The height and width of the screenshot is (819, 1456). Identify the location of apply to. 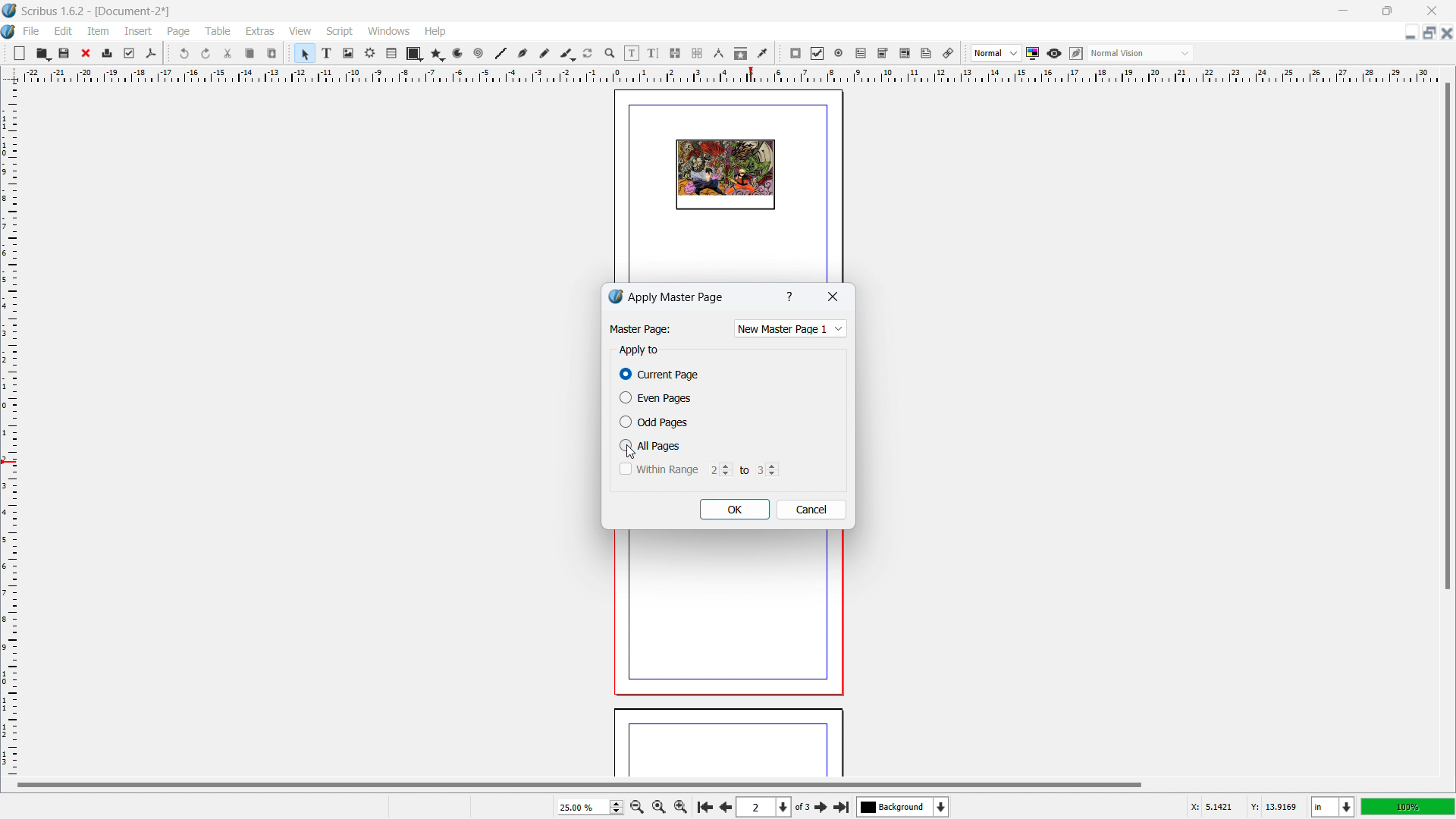
(639, 350).